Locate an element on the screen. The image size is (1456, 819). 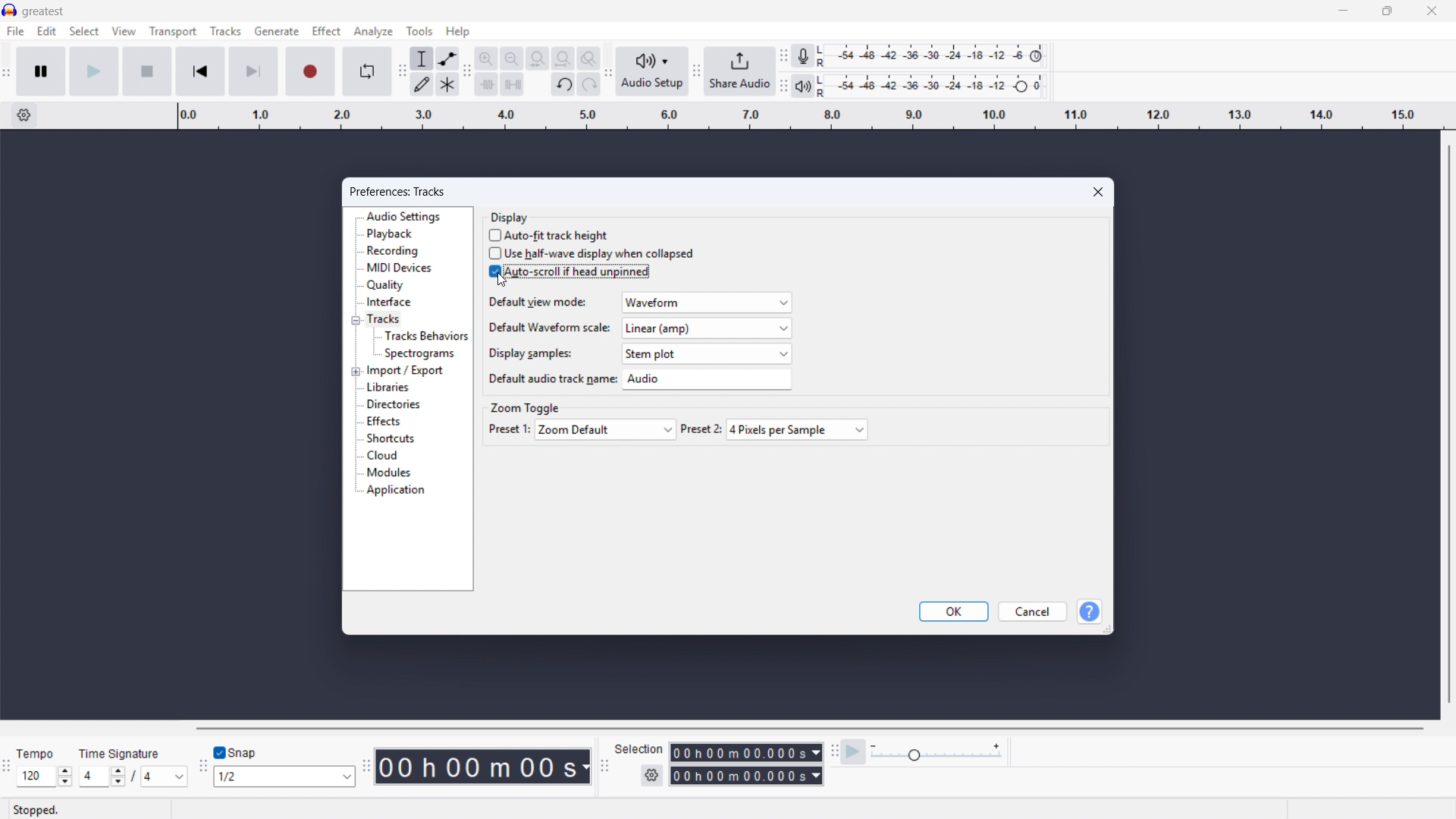
Close  is located at coordinates (1432, 11).